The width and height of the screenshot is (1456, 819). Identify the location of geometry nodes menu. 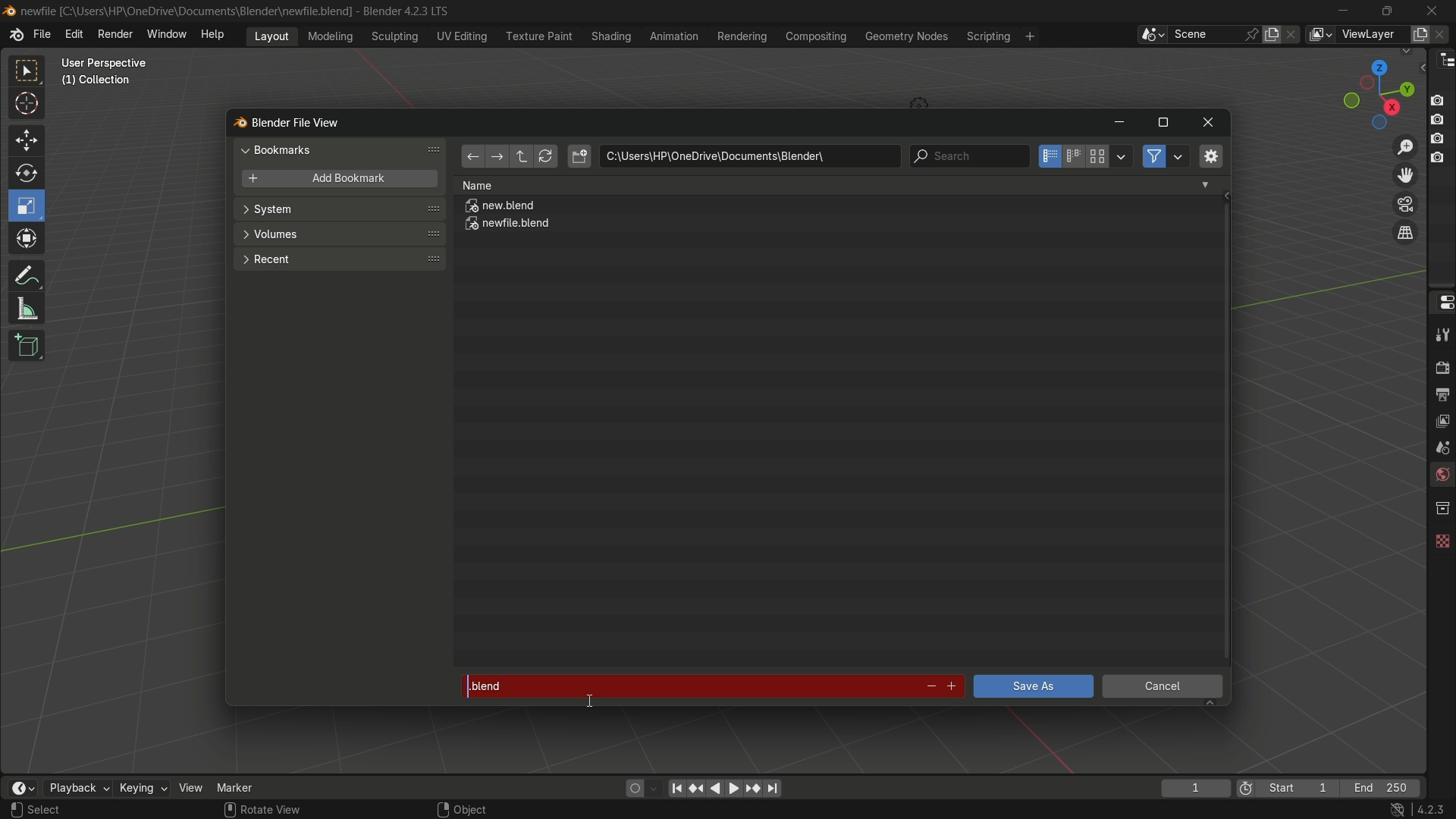
(905, 36).